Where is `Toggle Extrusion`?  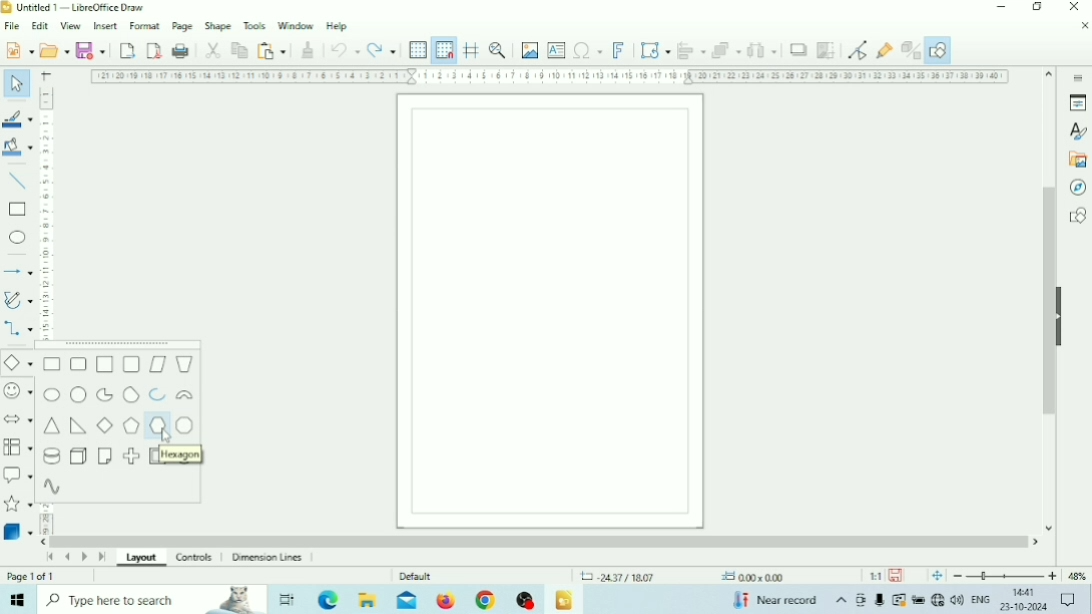 Toggle Extrusion is located at coordinates (909, 50).